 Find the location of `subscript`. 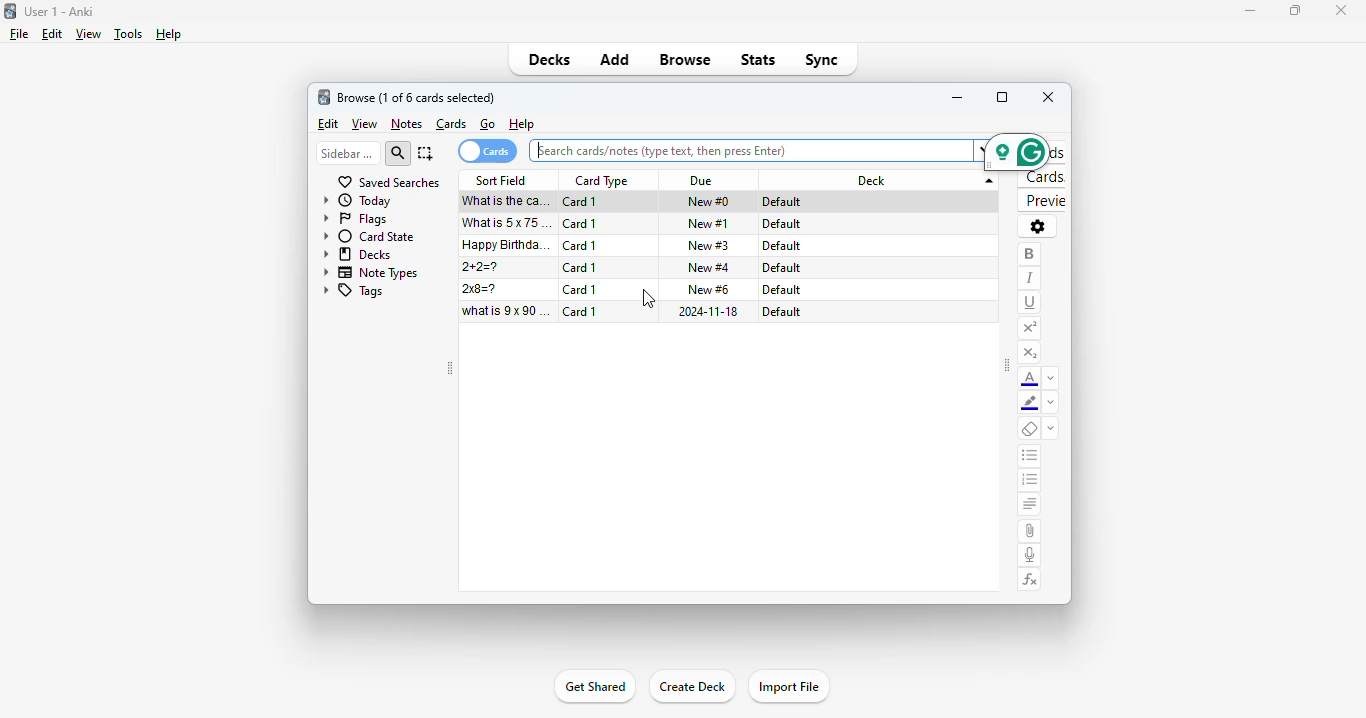

subscript is located at coordinates (1029, 353).